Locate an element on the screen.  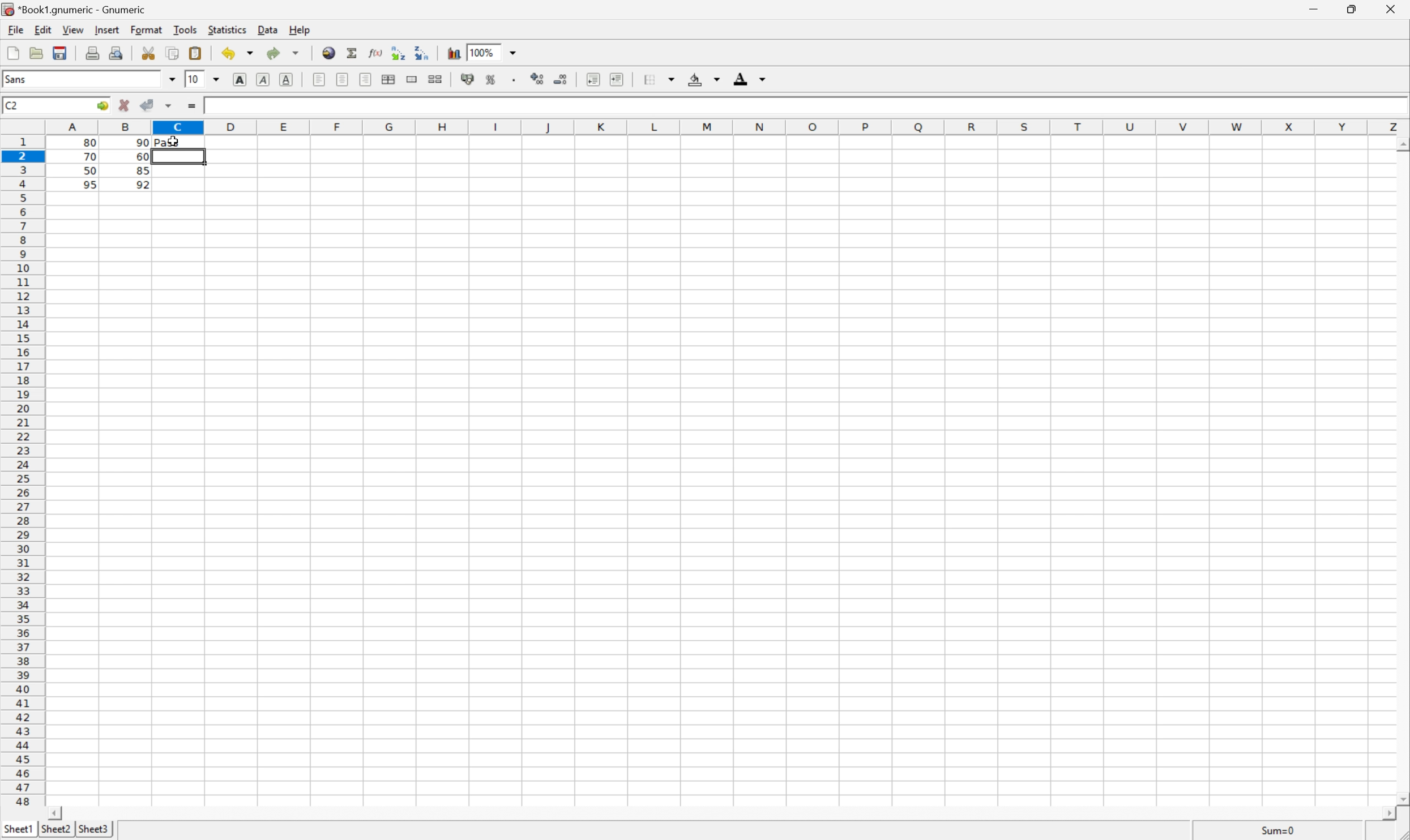
Align left is located at coordinates (367, 79).